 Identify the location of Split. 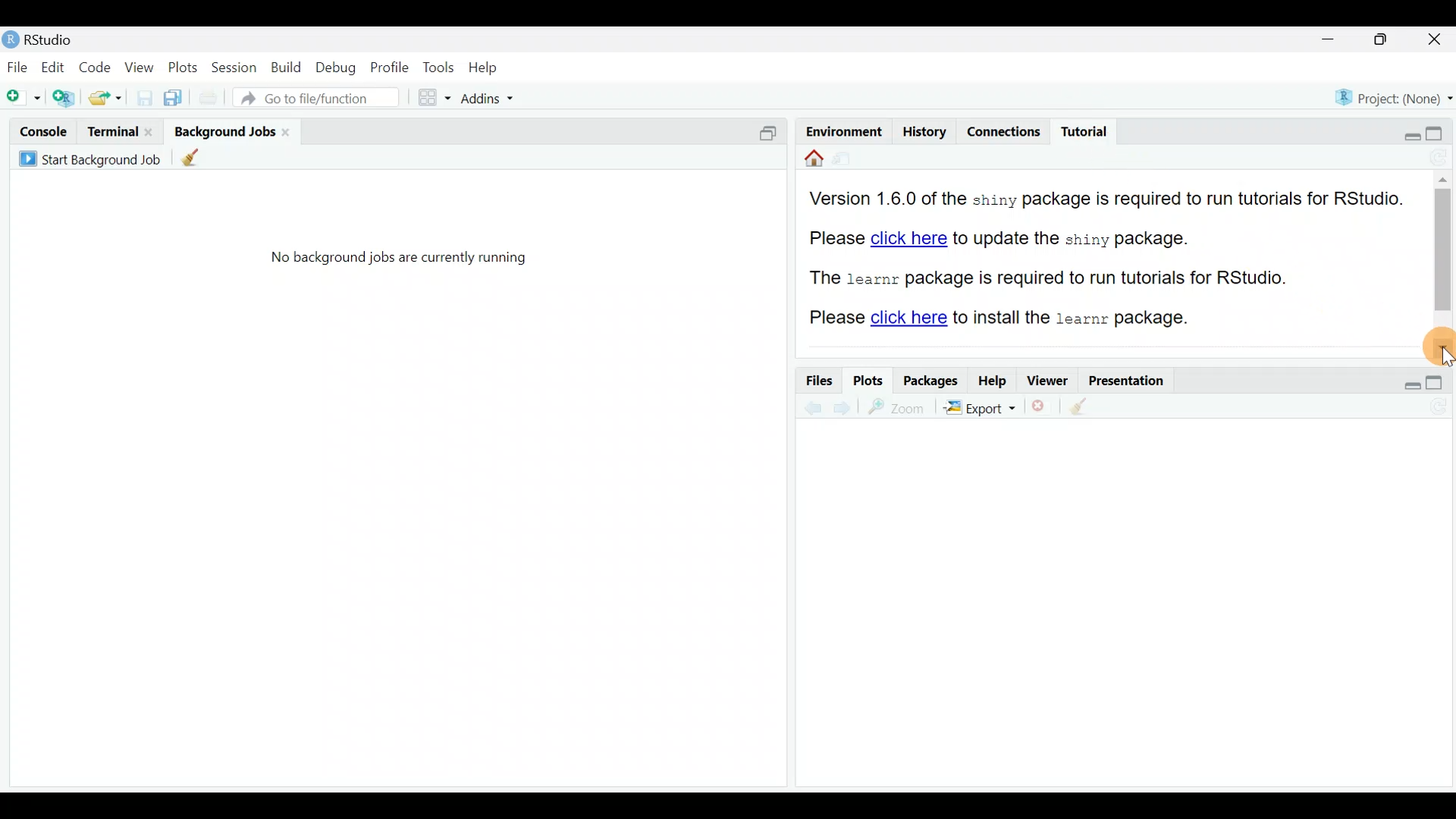
(772, 132).